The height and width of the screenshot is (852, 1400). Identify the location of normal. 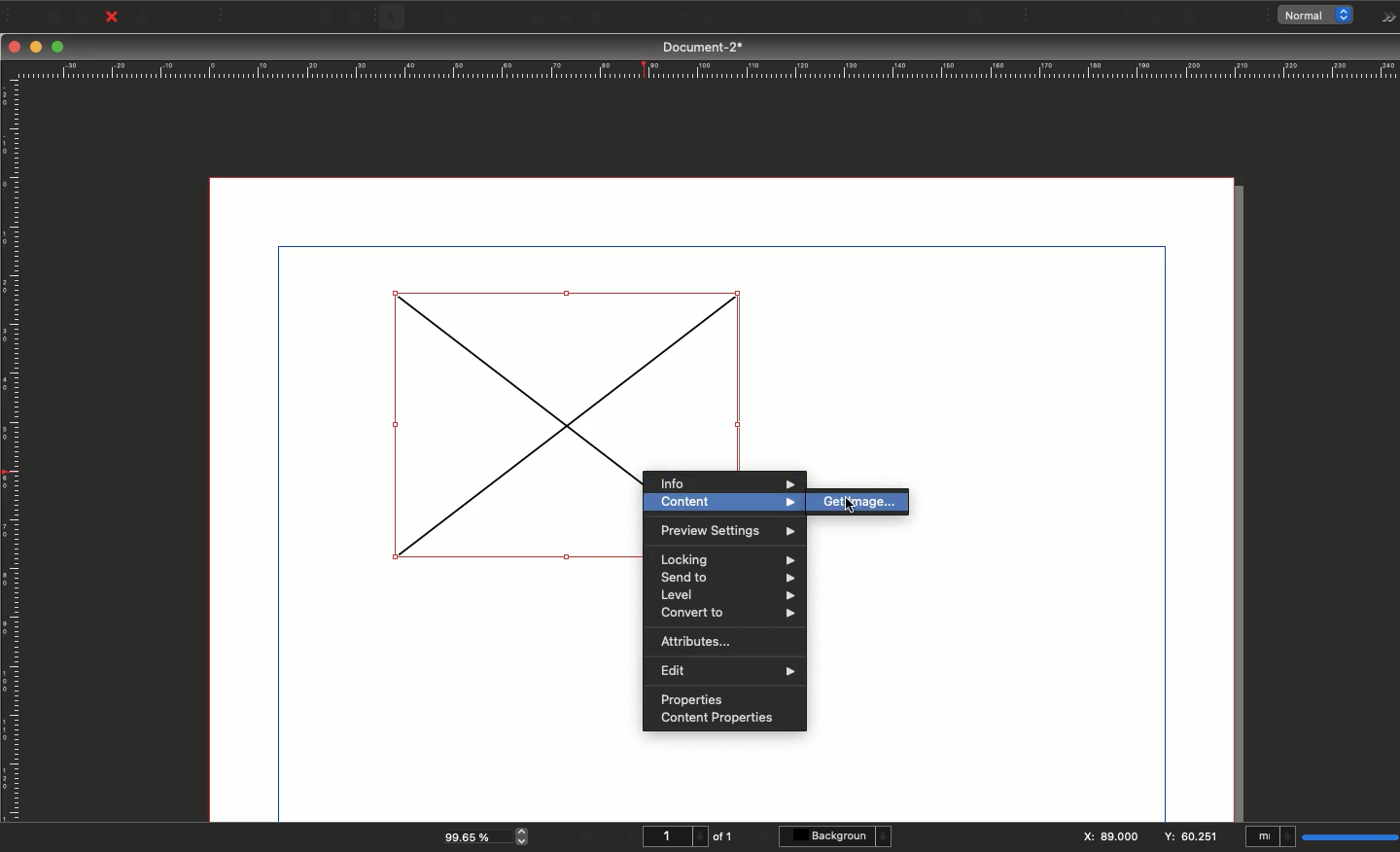
(1320, 16).